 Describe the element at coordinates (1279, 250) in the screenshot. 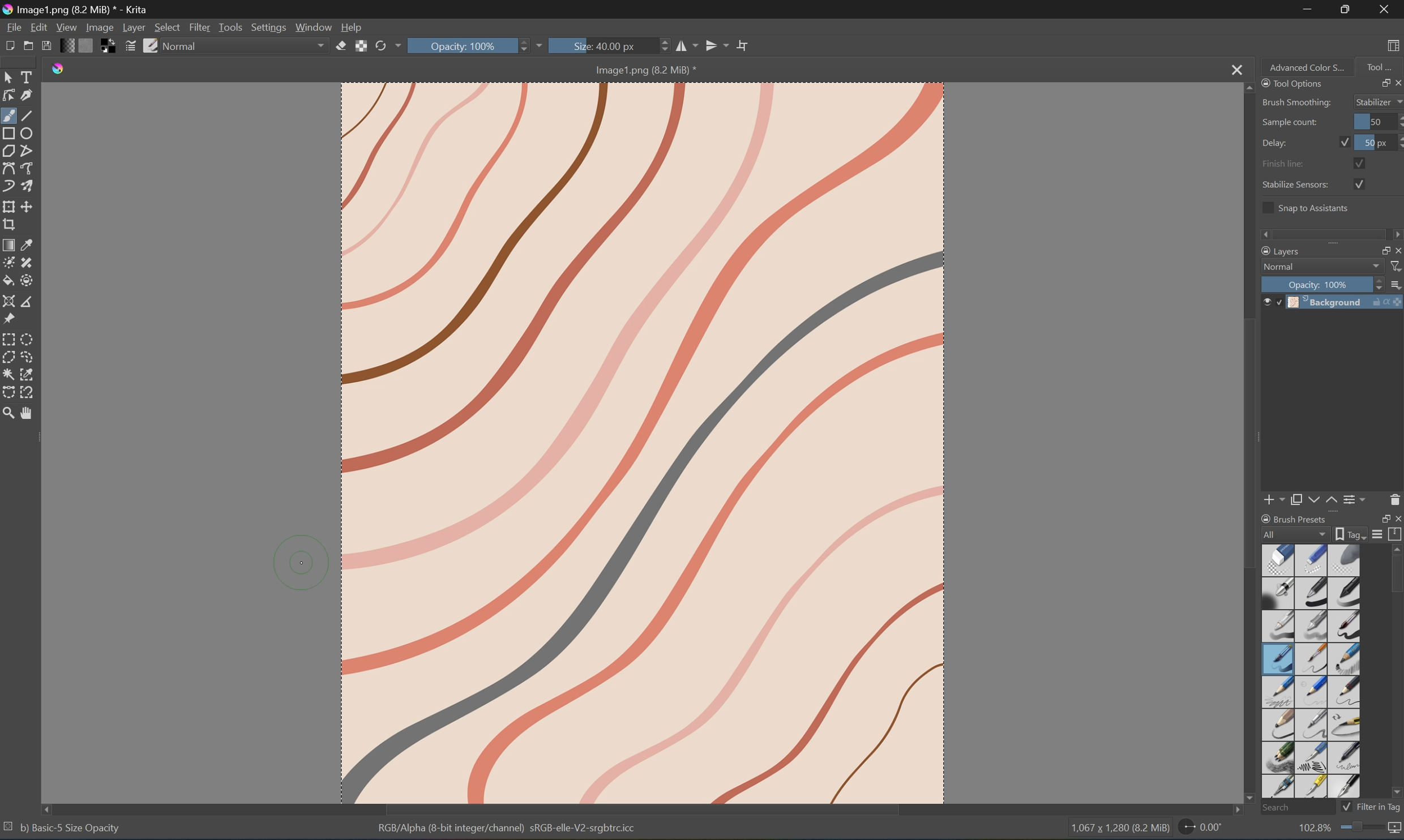

I see `Layers` at that location.